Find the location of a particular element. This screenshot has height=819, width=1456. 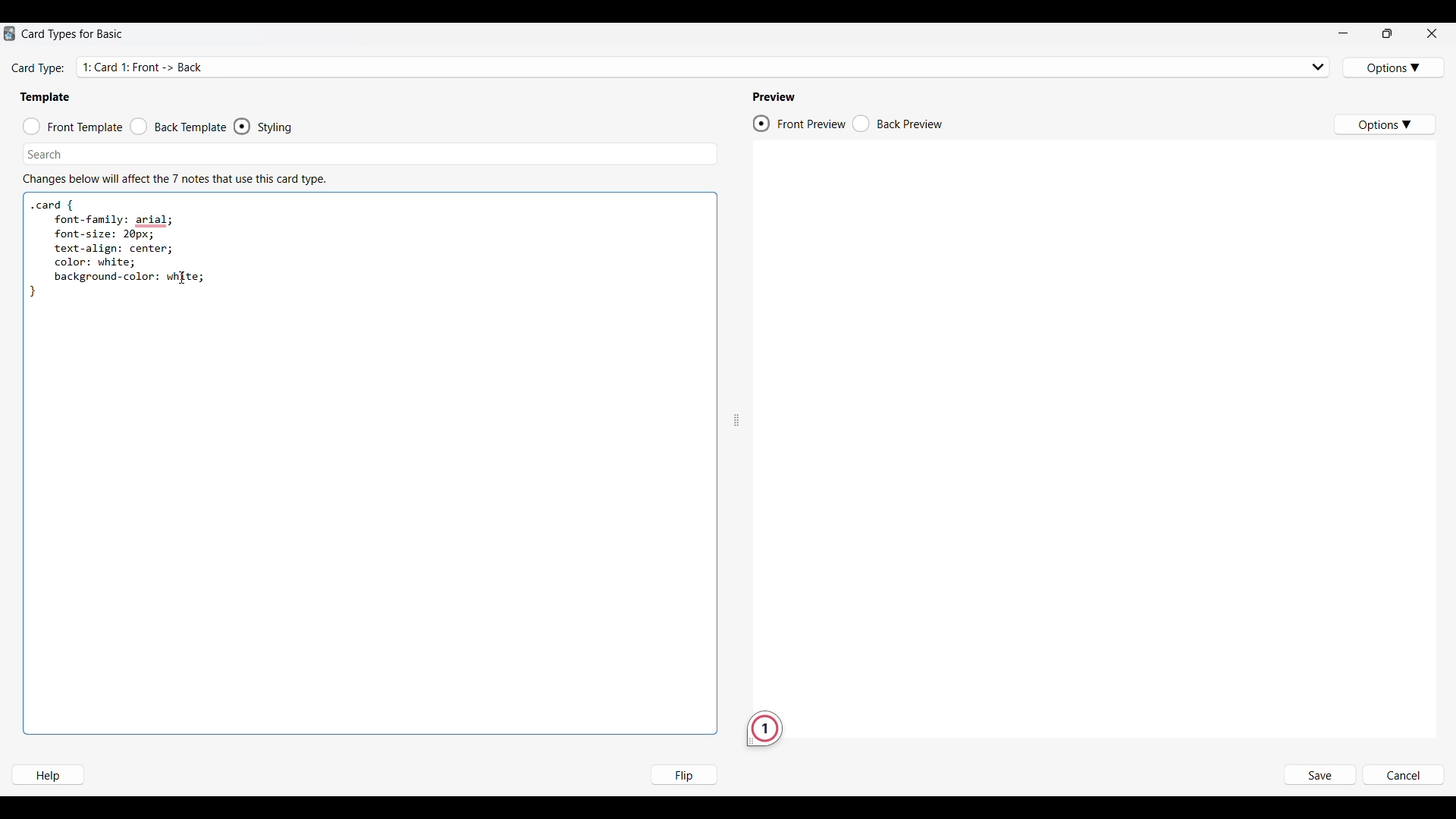

Save is located at coordinates (1319, 776).